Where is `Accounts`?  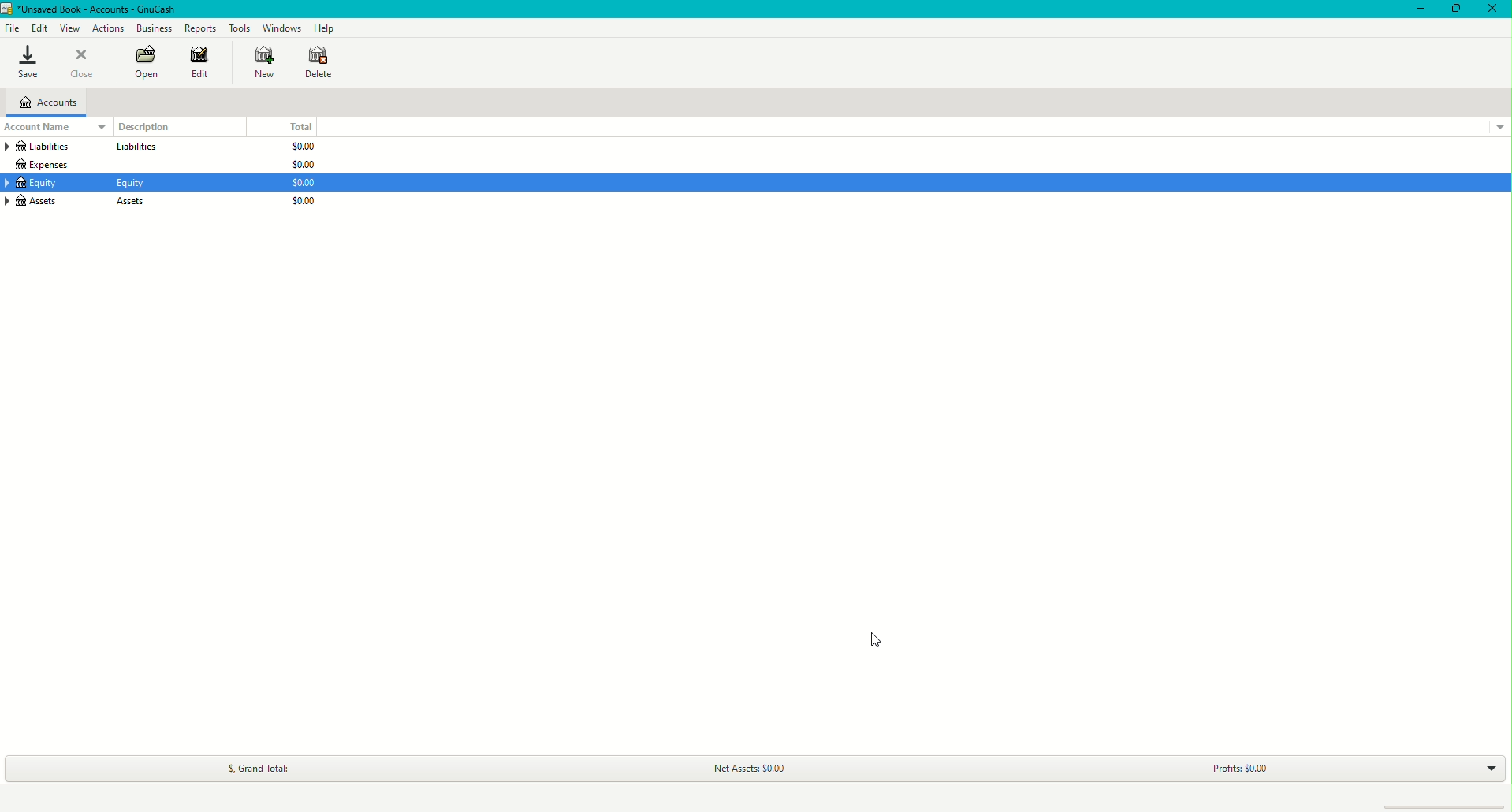 Accounts is located at coordinates (48, 102).